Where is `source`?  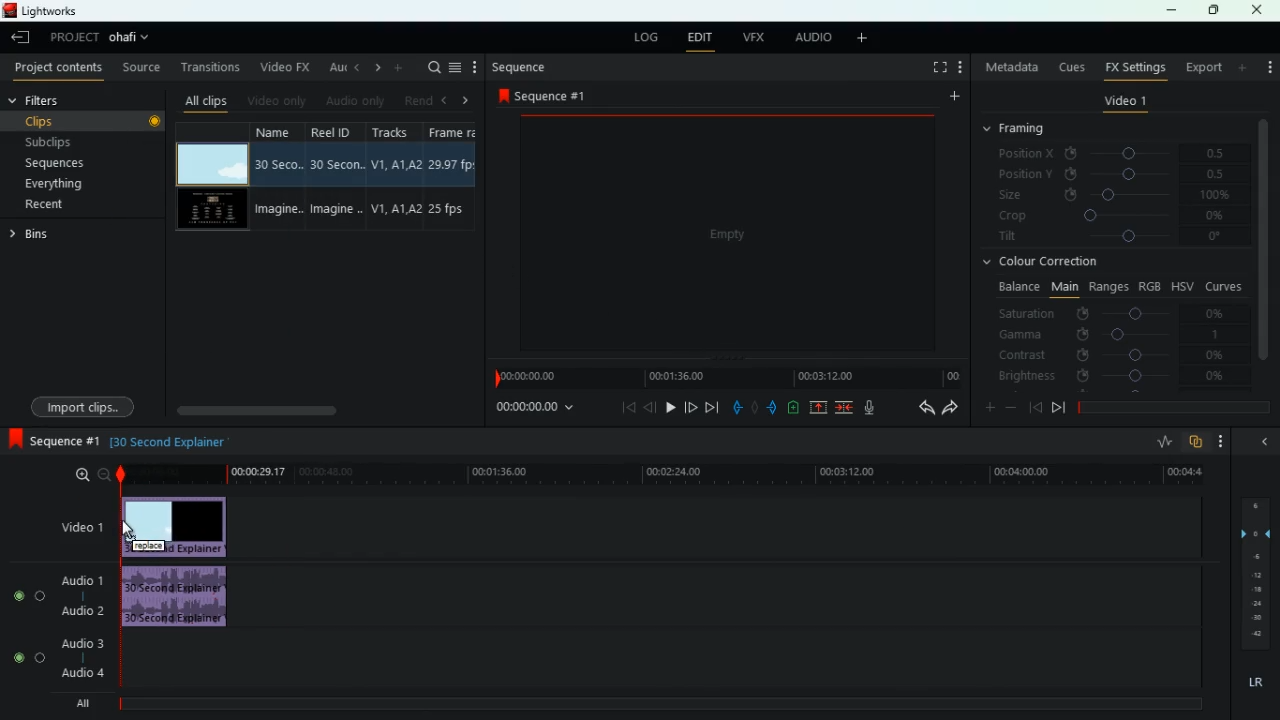 source is located at coordinates (143, 69).